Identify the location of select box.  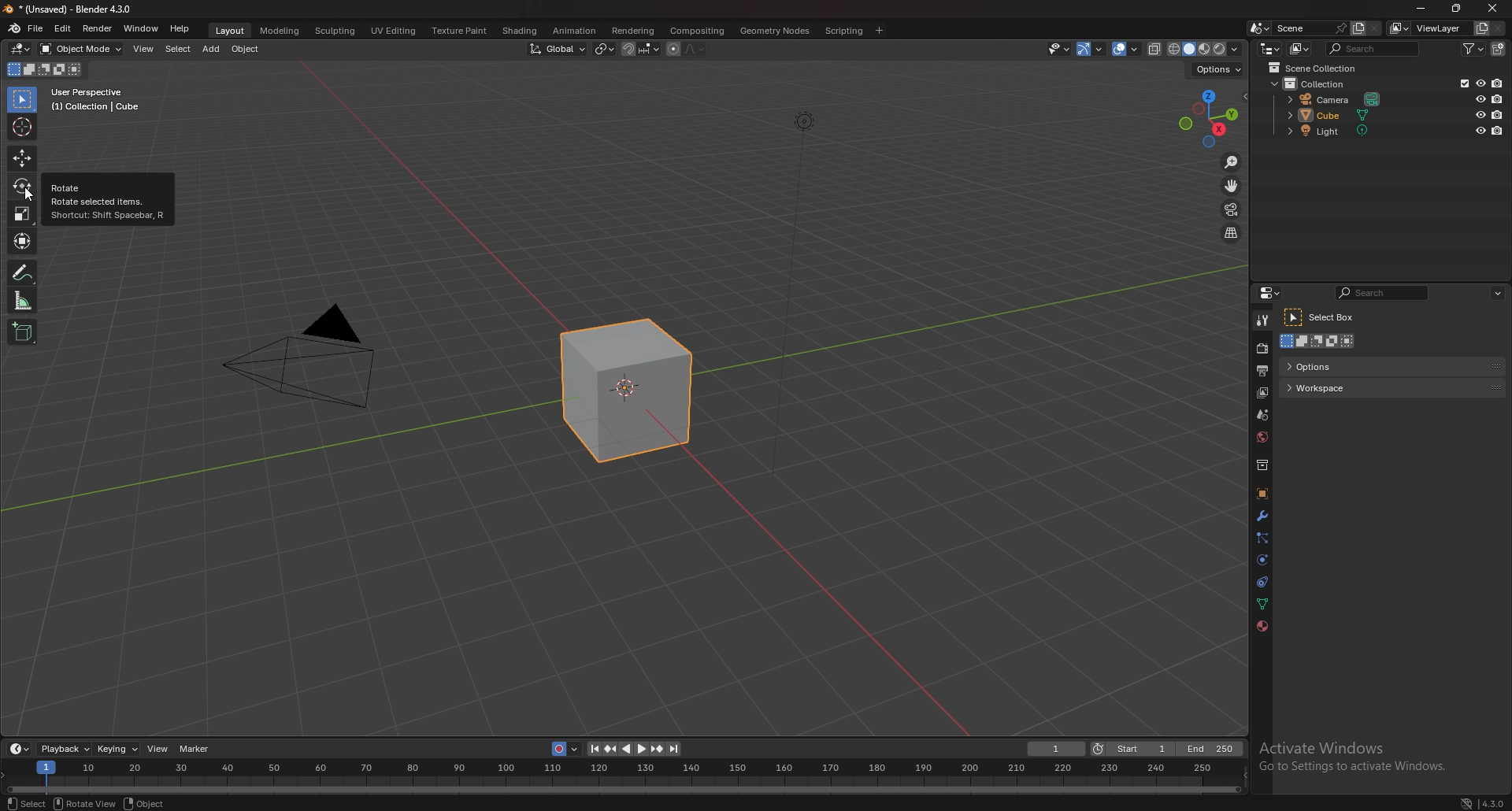
(1322, 317).